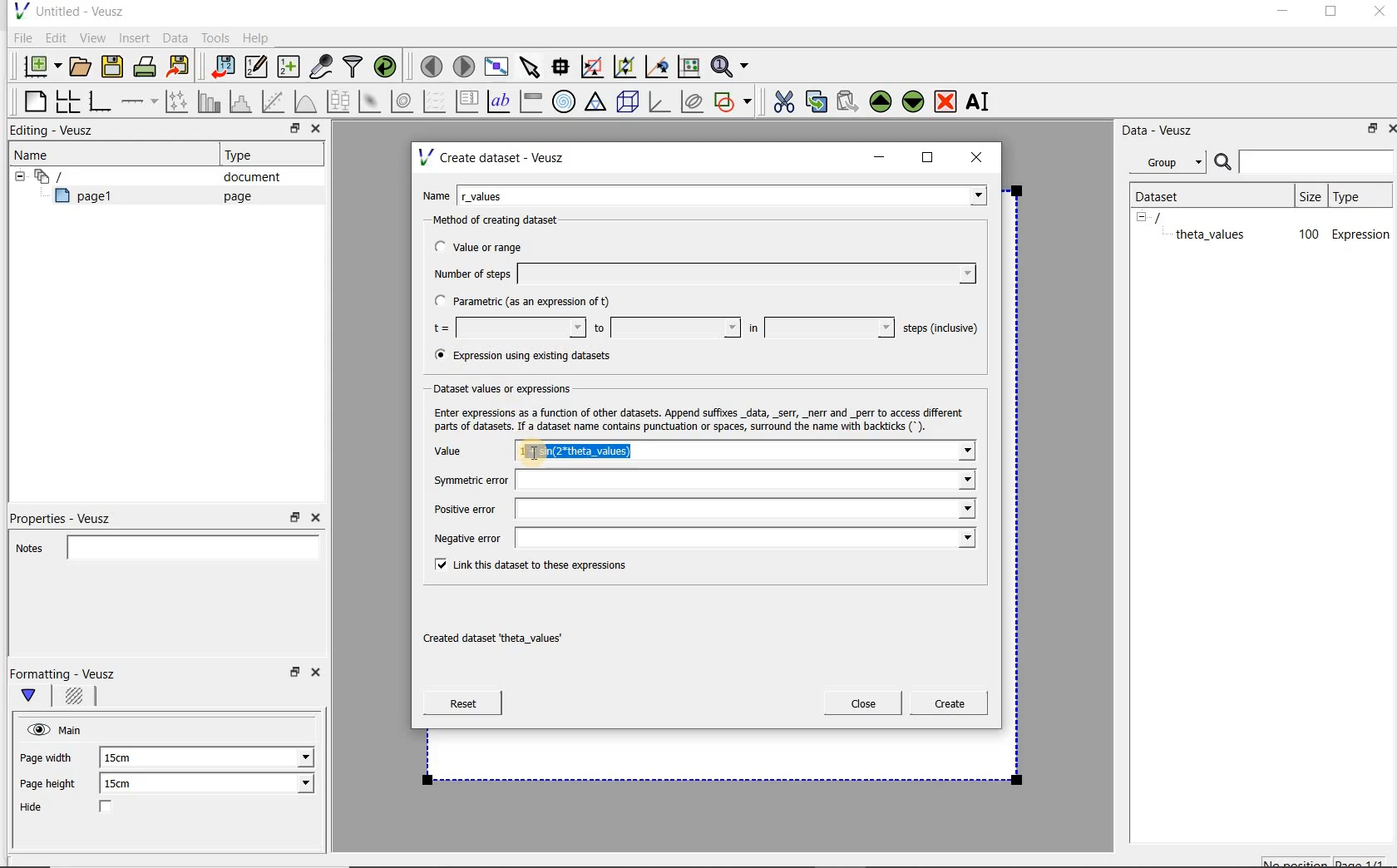 This screenshot has width=1397, height=868. I want to click on select items from the graph or scroll, so click(529, 65).